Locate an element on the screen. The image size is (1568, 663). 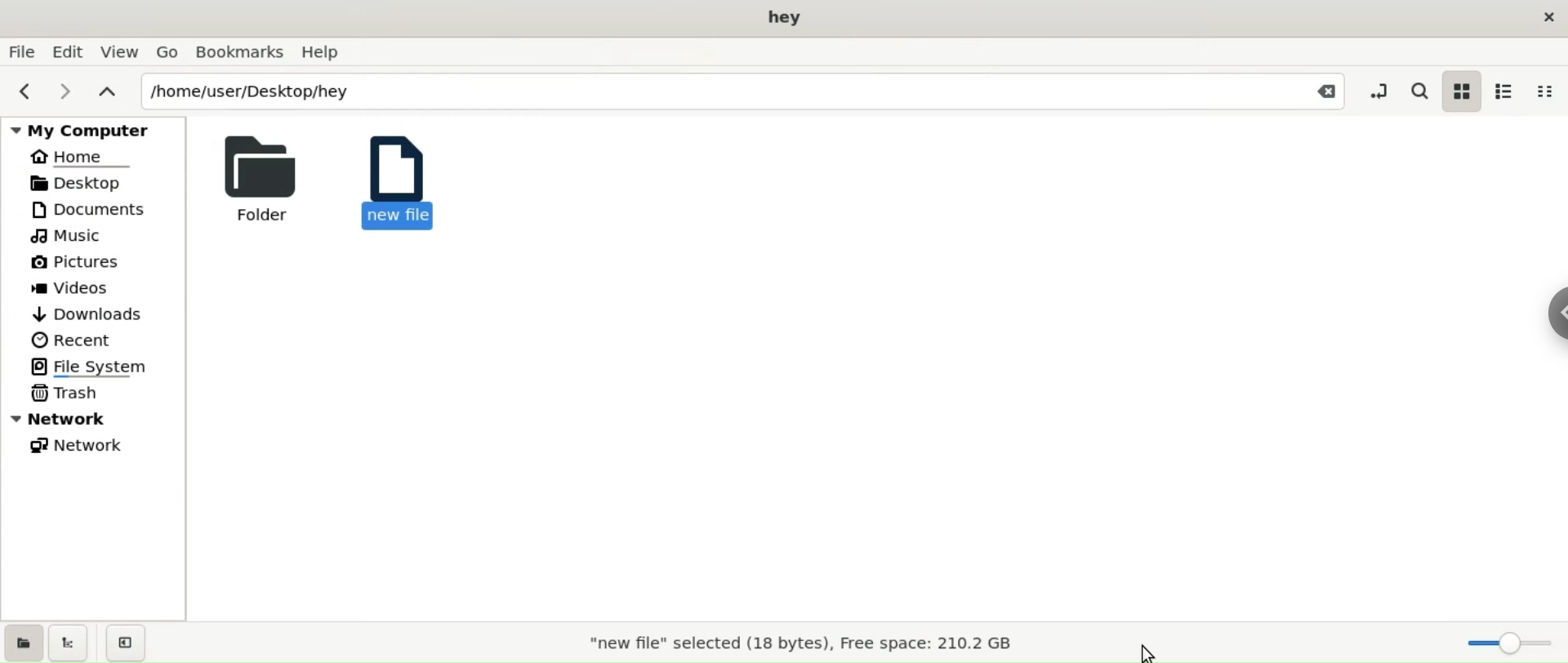
cursor is located at coordinates (1162, 651).